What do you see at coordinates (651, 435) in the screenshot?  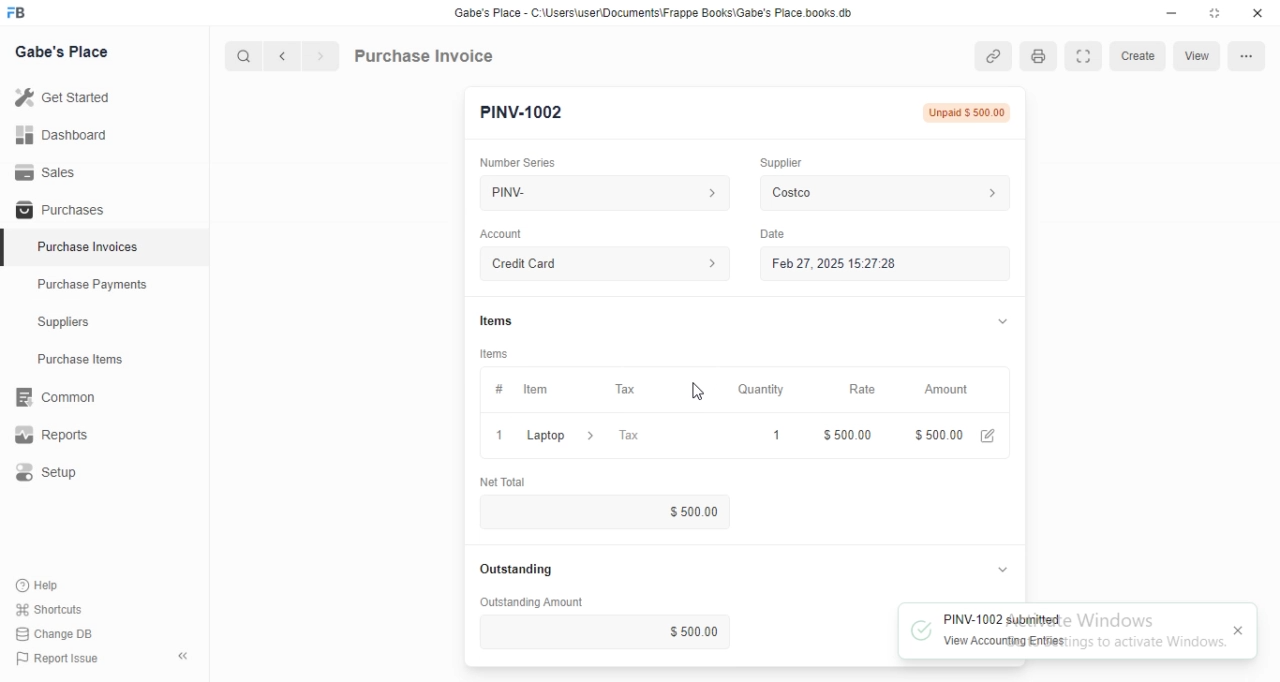 I see `Tax` at bounding box center [651, 435].